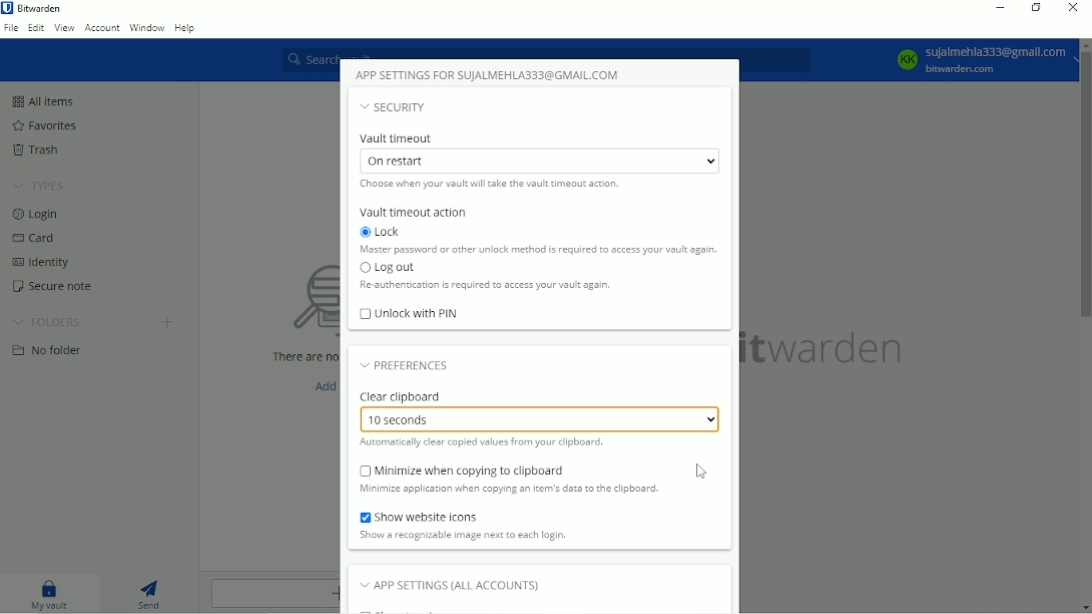  What do you see at coordinates (701, 471) in the screenshot?
I see `Cursor` at bounding box center [701, 471].